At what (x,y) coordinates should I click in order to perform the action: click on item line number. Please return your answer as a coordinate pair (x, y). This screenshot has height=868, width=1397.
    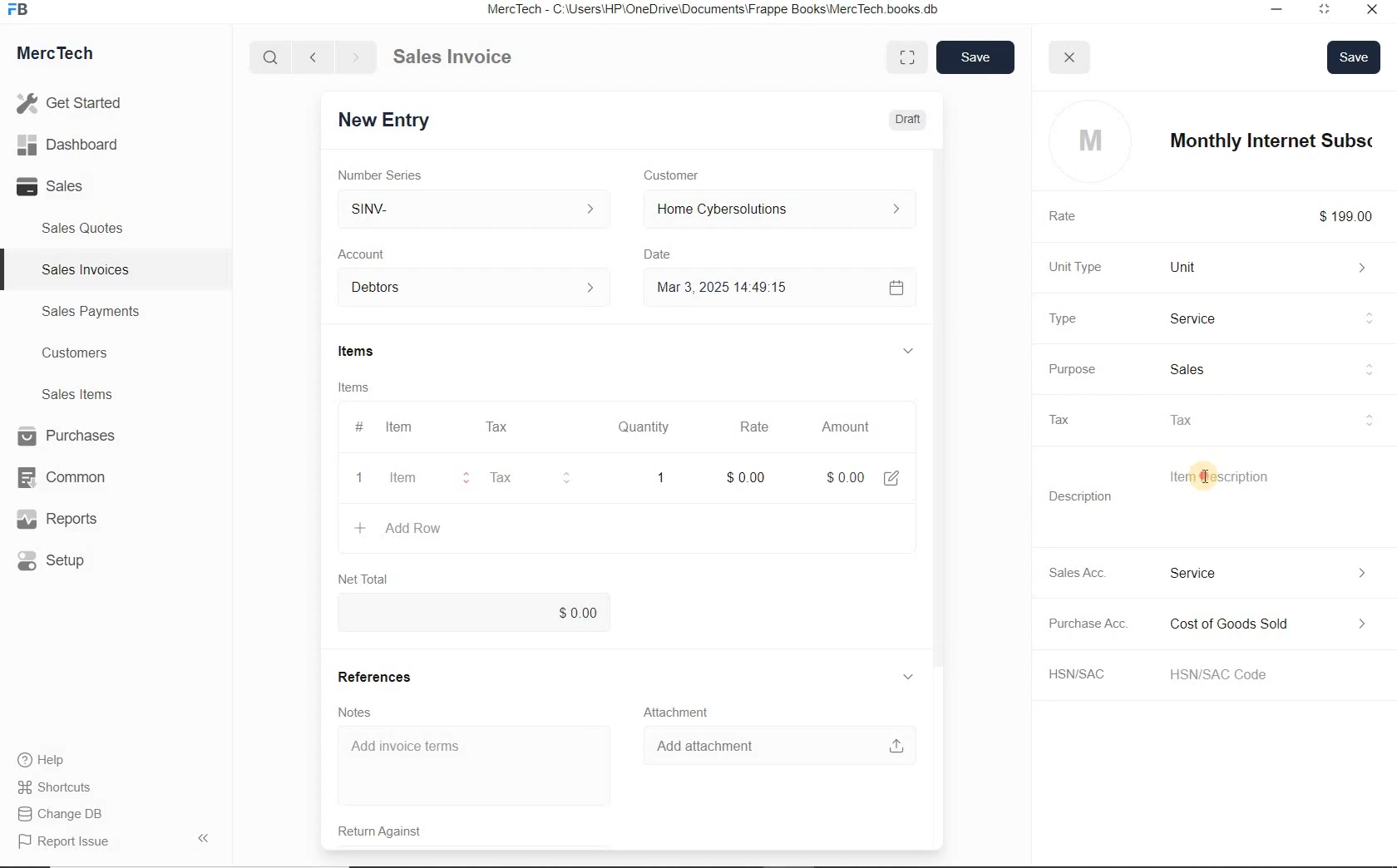
    Looking at the image, I should click on (354, 455).